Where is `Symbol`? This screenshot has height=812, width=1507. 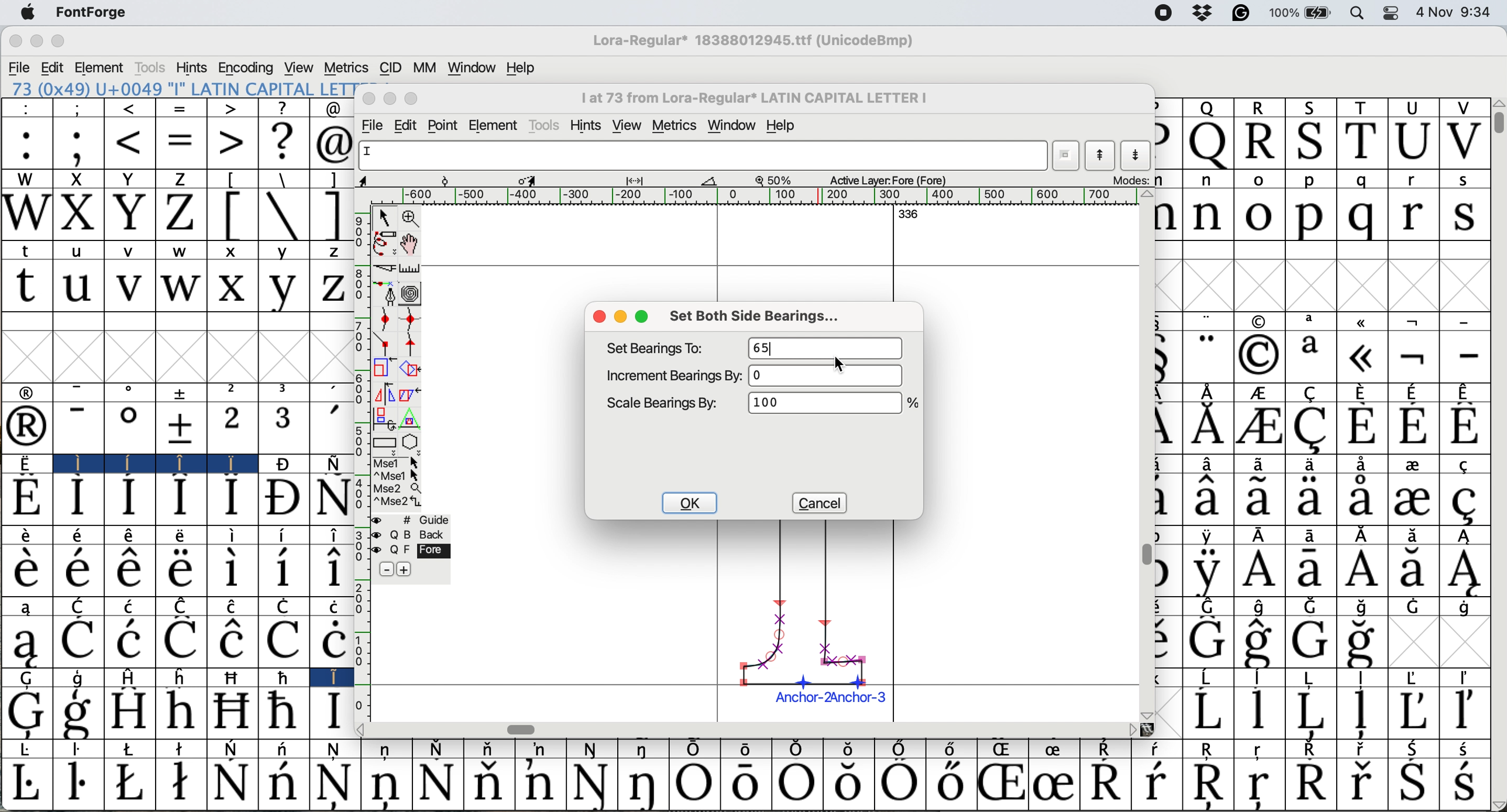 Symbol is located at coordinates (335, 785).